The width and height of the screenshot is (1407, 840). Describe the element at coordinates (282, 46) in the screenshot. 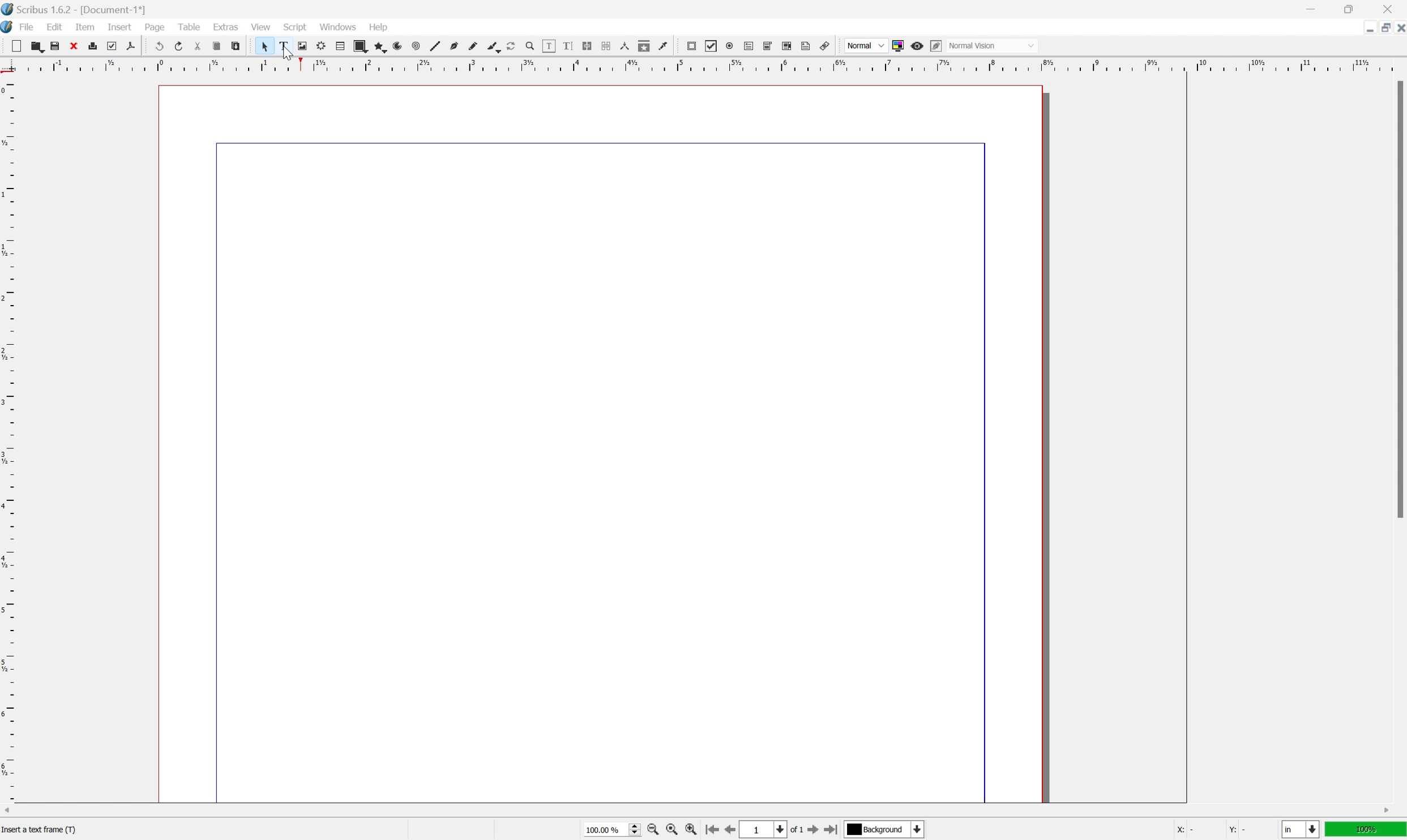

I see `text frame` at that location.